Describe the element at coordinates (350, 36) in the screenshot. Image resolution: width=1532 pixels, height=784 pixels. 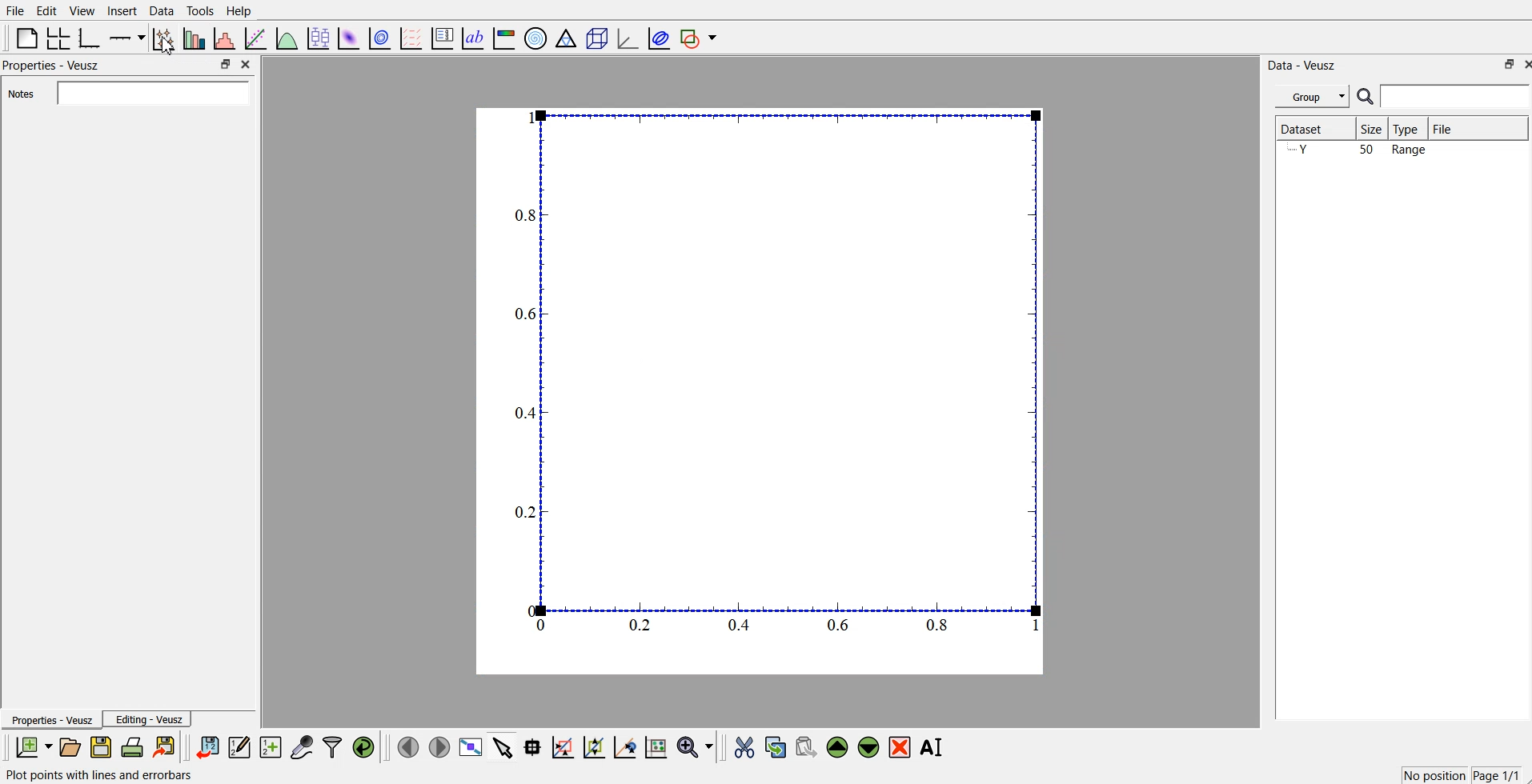
I see `plot 2d datasets as image` at that location.